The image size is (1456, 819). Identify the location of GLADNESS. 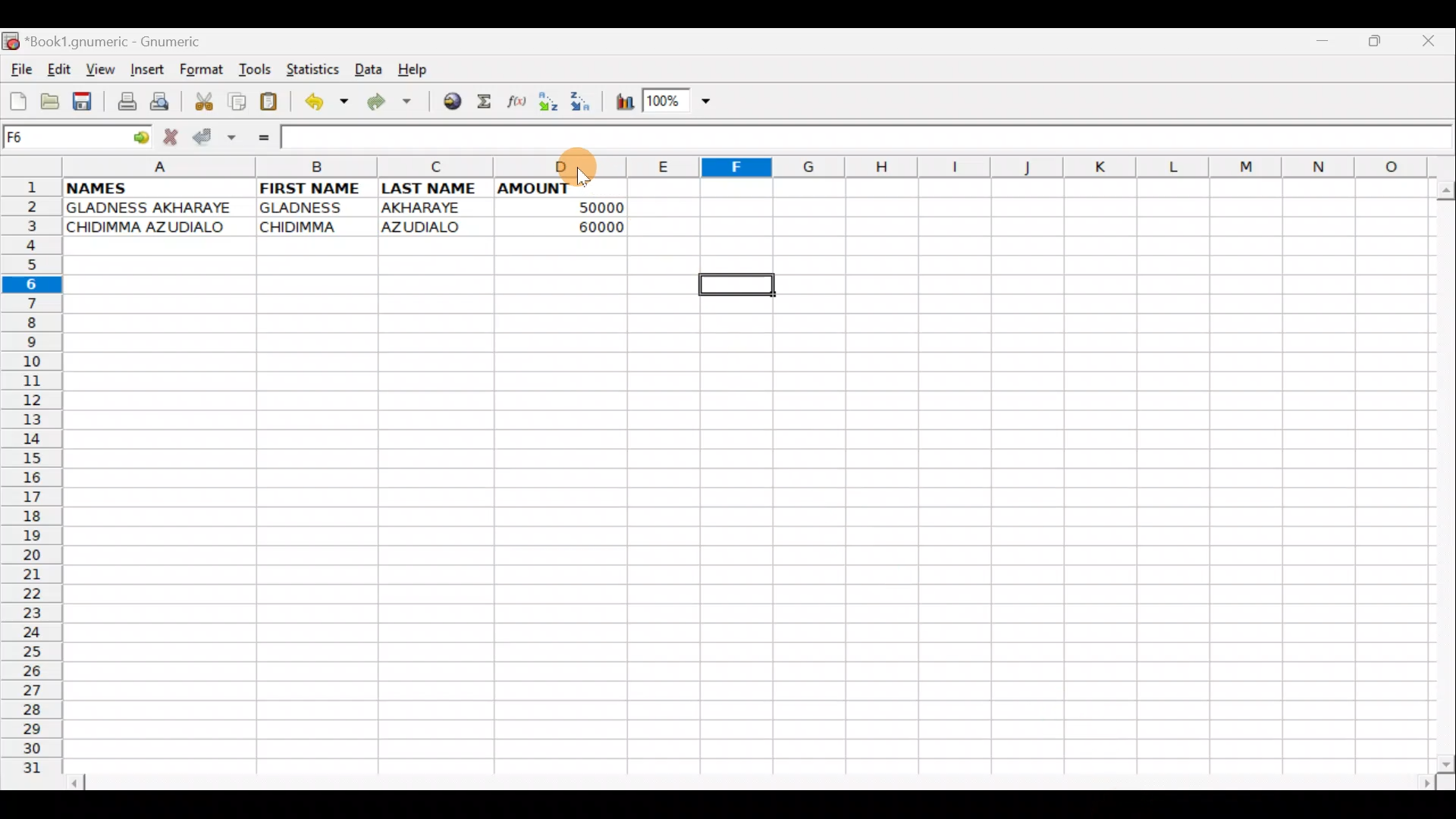
(312, 208).